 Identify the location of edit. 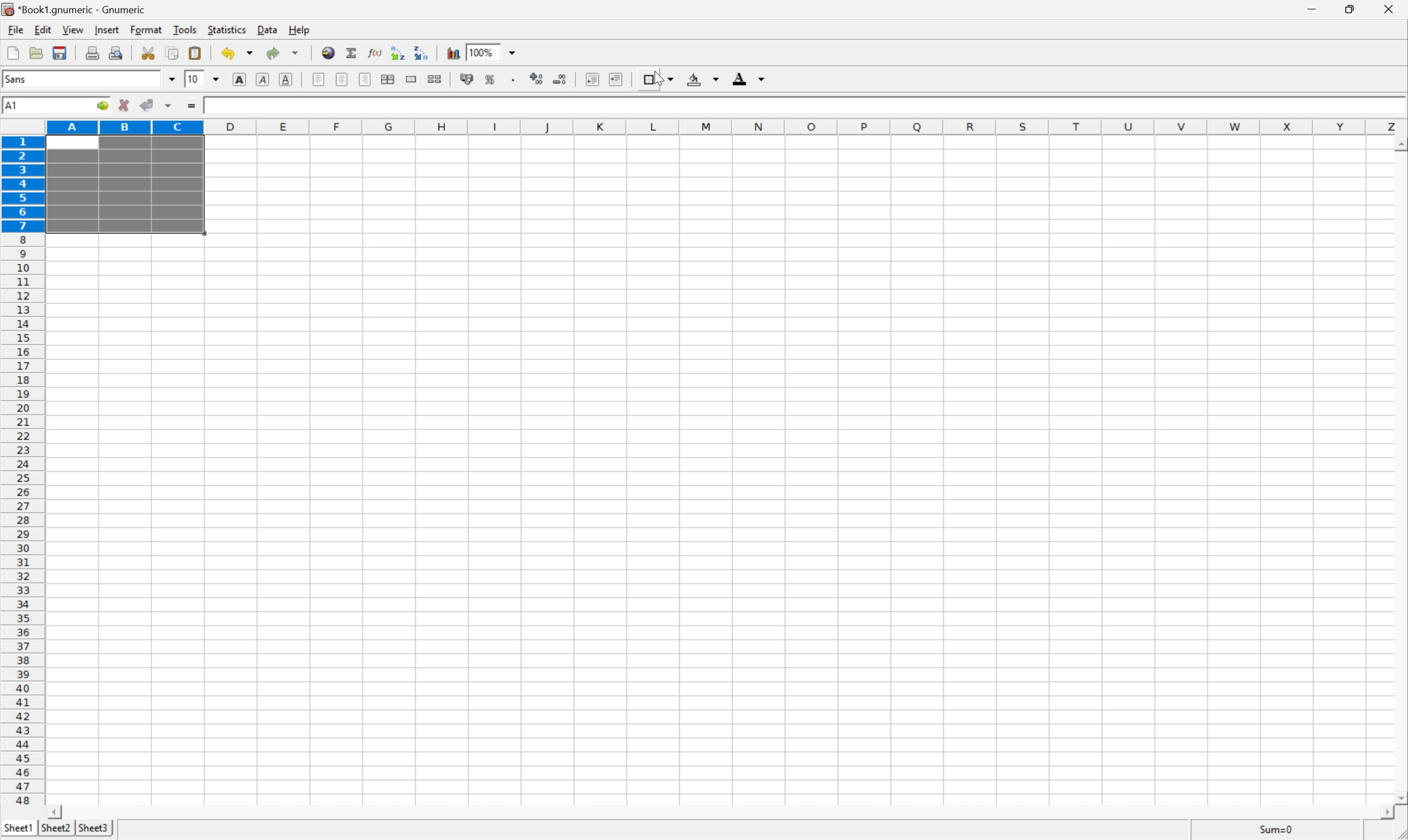
(41, 29).